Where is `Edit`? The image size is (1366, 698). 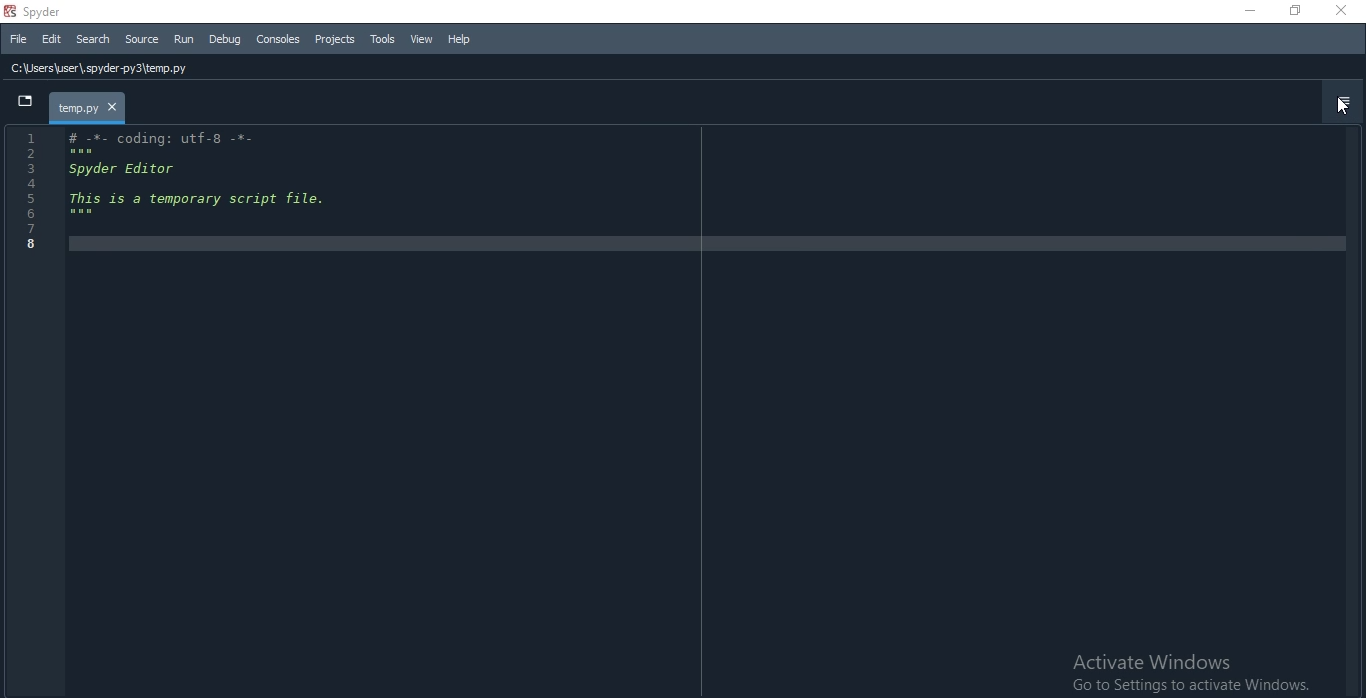 Edit is located at coordinates (51, 40).